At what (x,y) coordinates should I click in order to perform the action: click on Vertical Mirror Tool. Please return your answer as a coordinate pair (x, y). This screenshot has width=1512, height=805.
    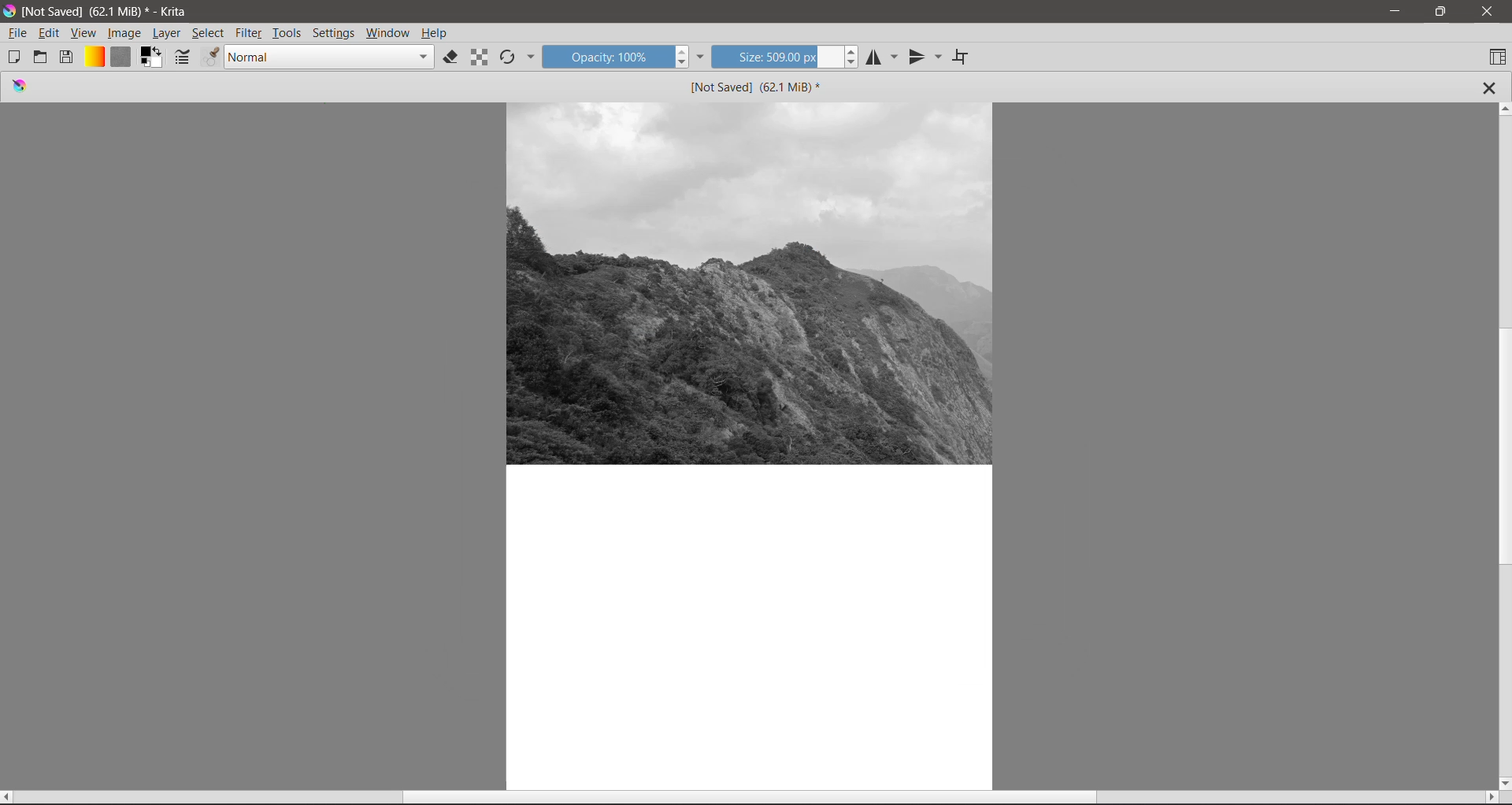
    Looking at the image, I should click on (925, 57).